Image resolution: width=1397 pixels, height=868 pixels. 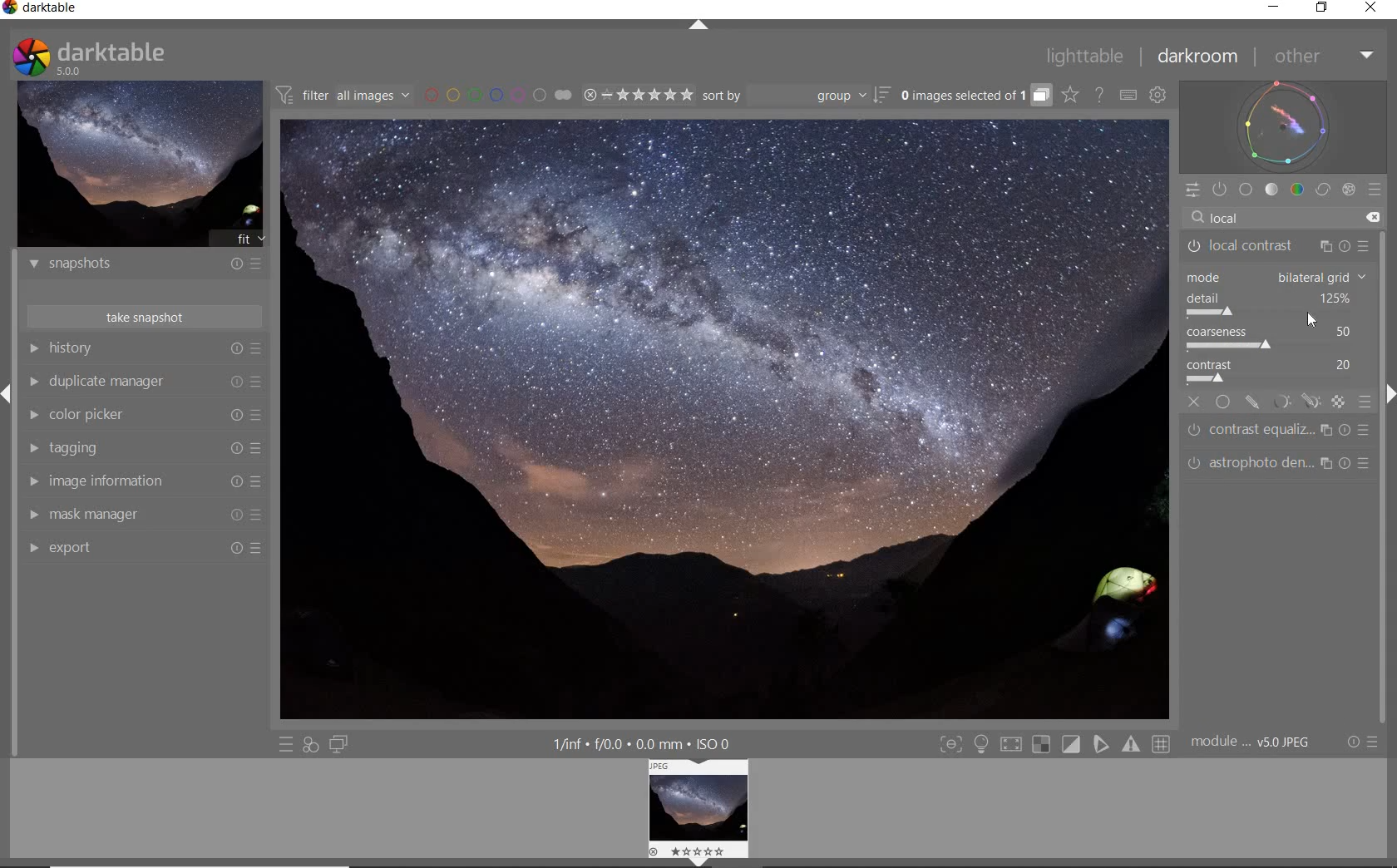 What do you see at coordinates (1360, 240) in the screenshot?
I see `presets` at bounding box center [1360, 240].